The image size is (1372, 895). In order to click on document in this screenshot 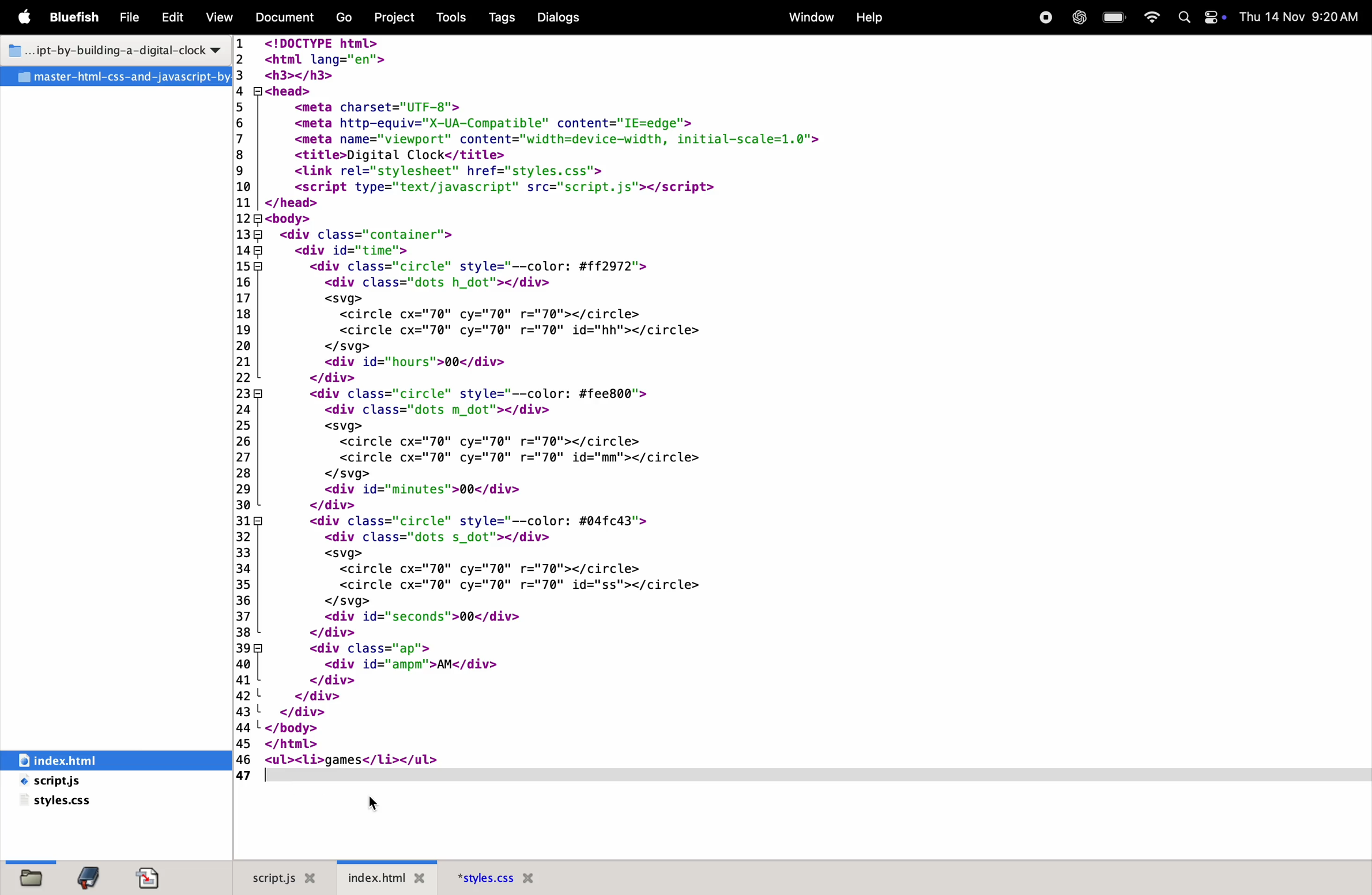, I will do `click(152, 878)`.